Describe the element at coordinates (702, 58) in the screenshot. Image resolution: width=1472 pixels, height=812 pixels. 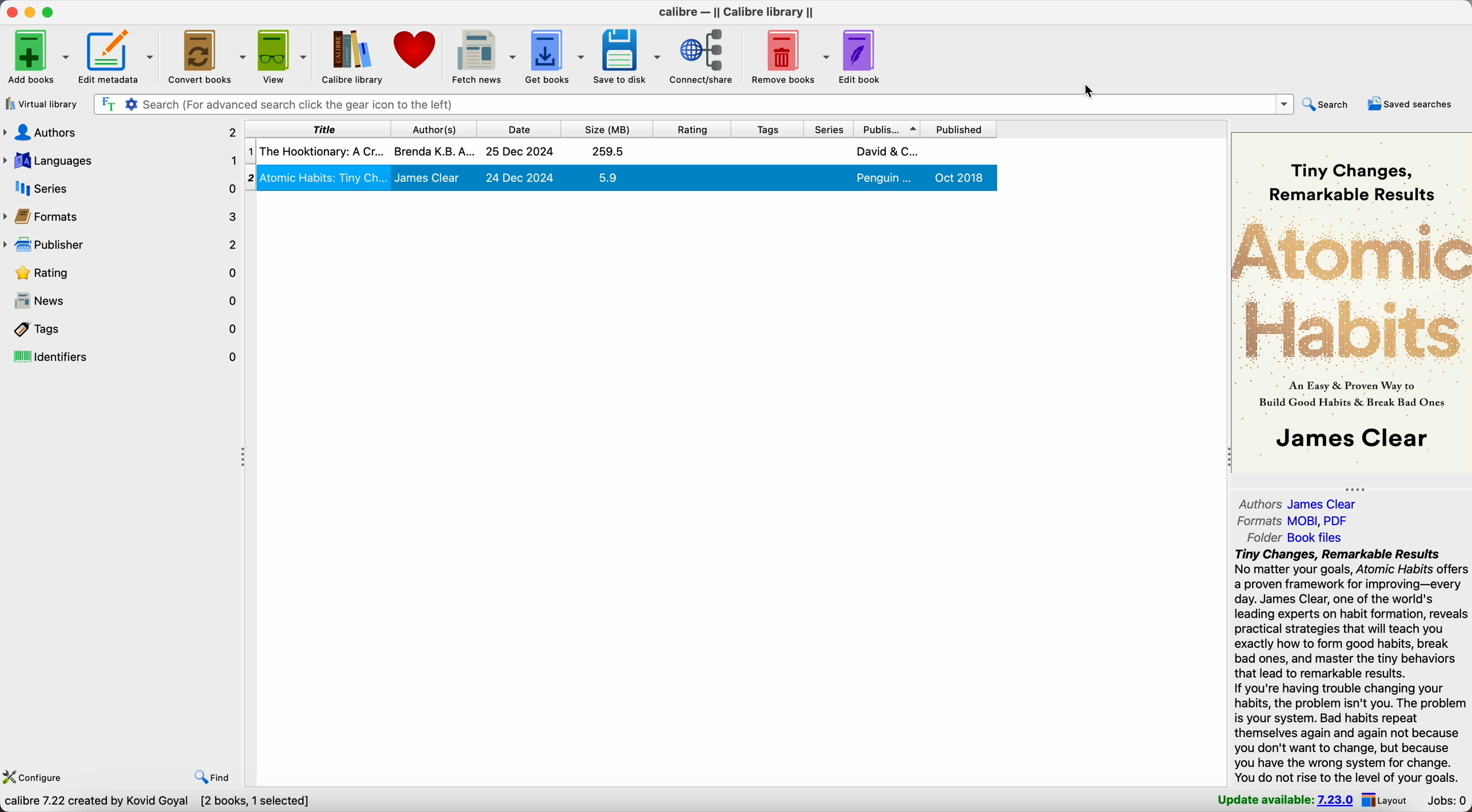
I see `click on connect/share` at that location.